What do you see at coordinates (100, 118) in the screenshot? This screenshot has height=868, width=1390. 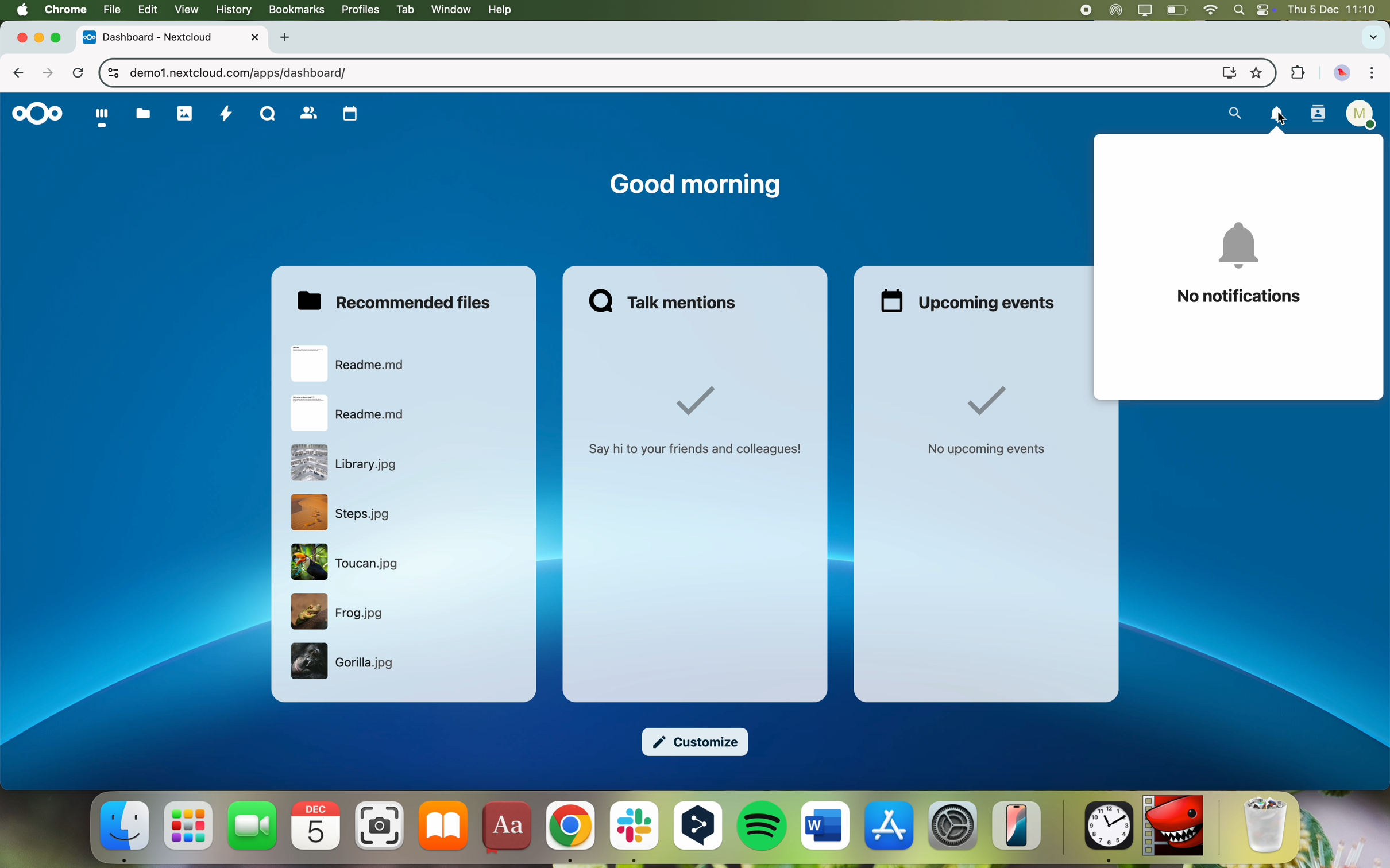 I see `dashboard` at bounding box center [100, 118].